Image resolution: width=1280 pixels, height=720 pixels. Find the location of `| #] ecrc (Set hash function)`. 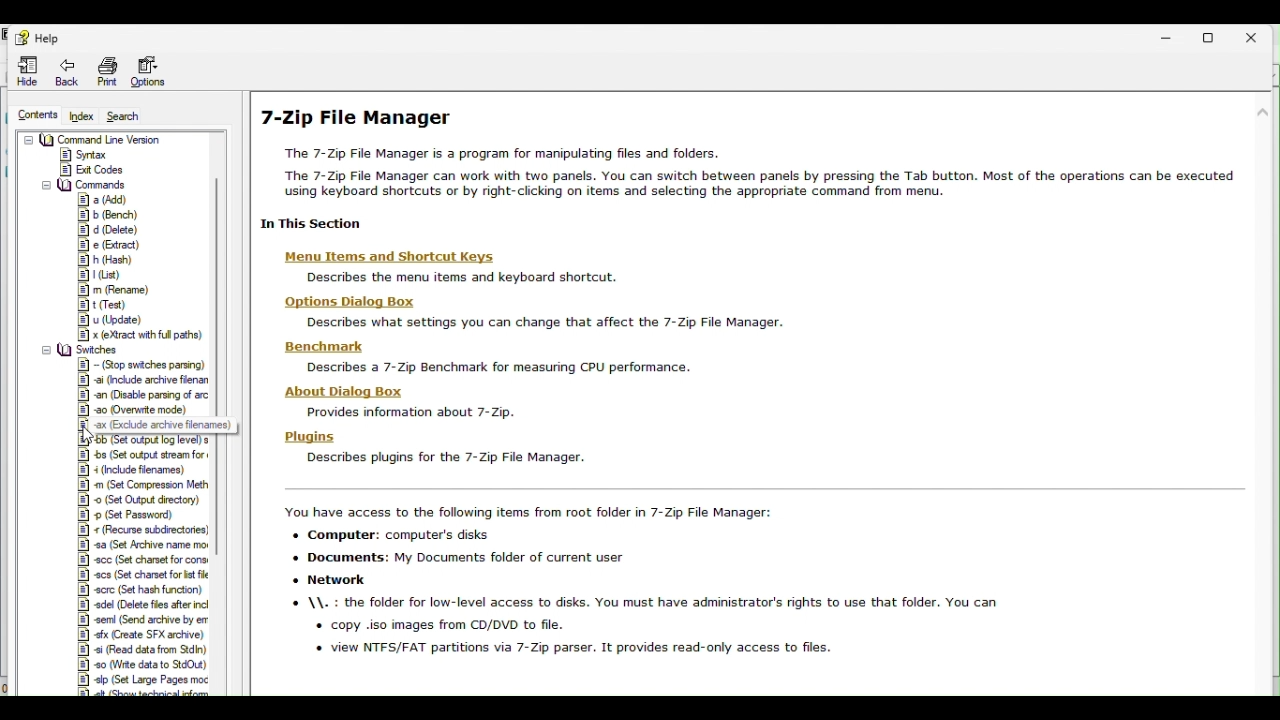

| #] ecrc (Set hash function) is located at coordinates (141, 589).